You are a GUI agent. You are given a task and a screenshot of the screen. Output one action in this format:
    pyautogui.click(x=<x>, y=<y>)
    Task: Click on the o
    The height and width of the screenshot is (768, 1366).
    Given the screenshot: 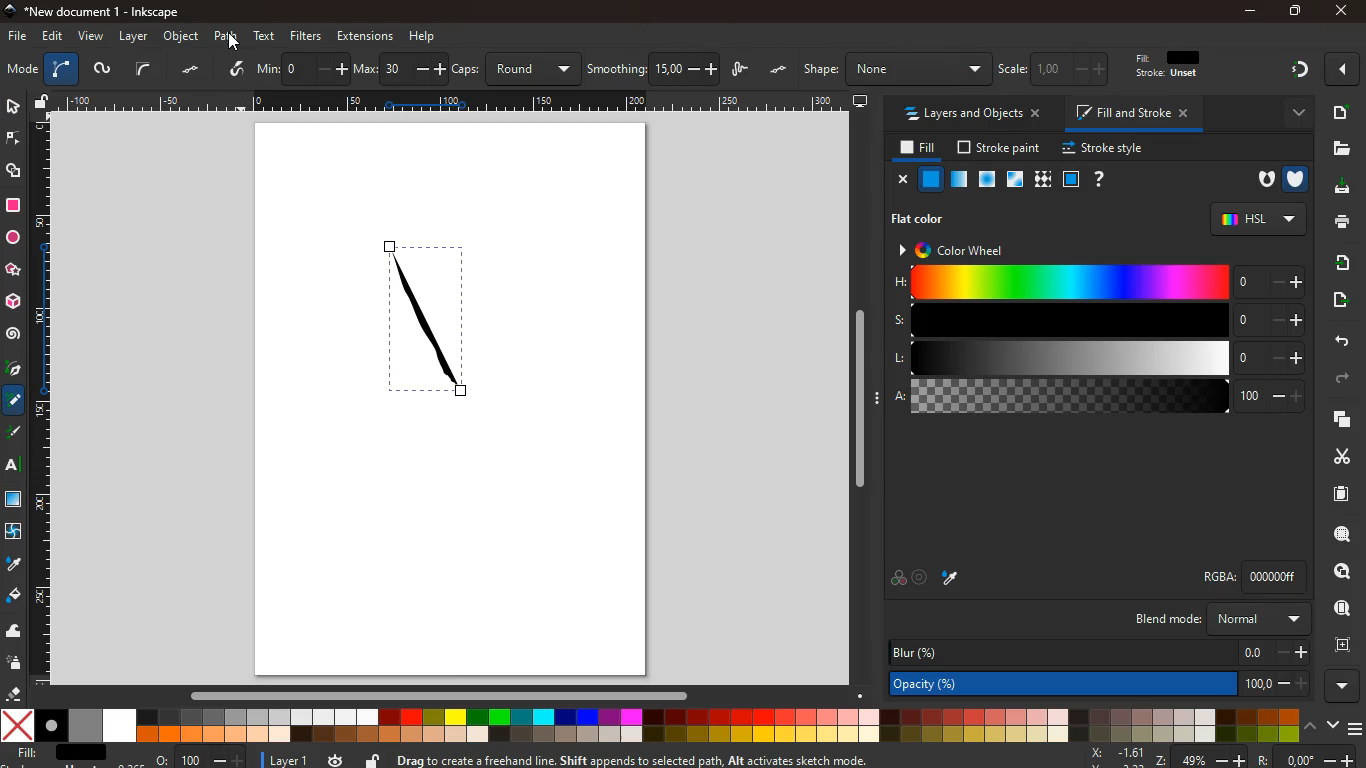 What is the action you would take?
    pyautogui.click(x=200, y=759)
    